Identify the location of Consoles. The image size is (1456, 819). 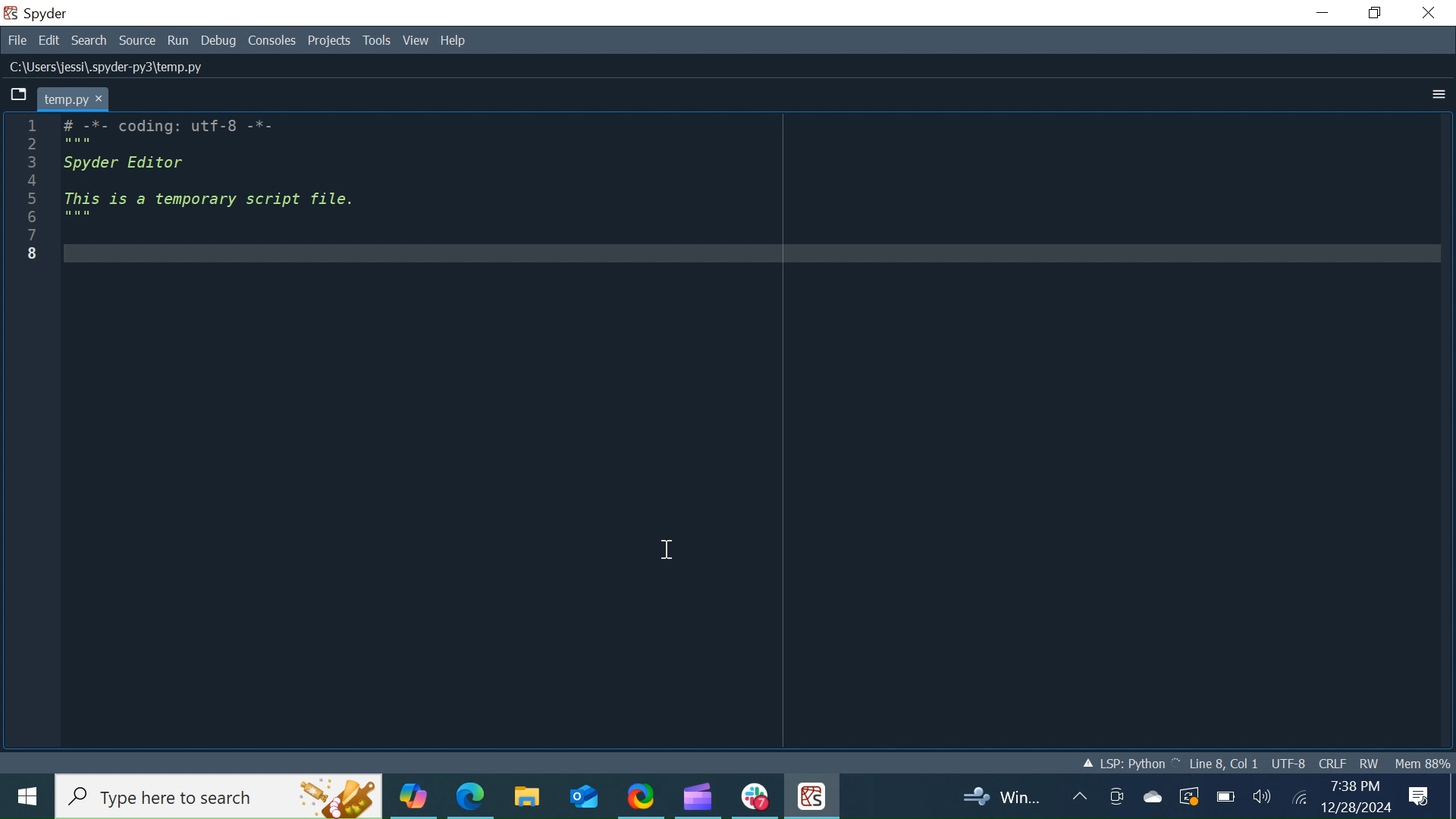
(272, 42).